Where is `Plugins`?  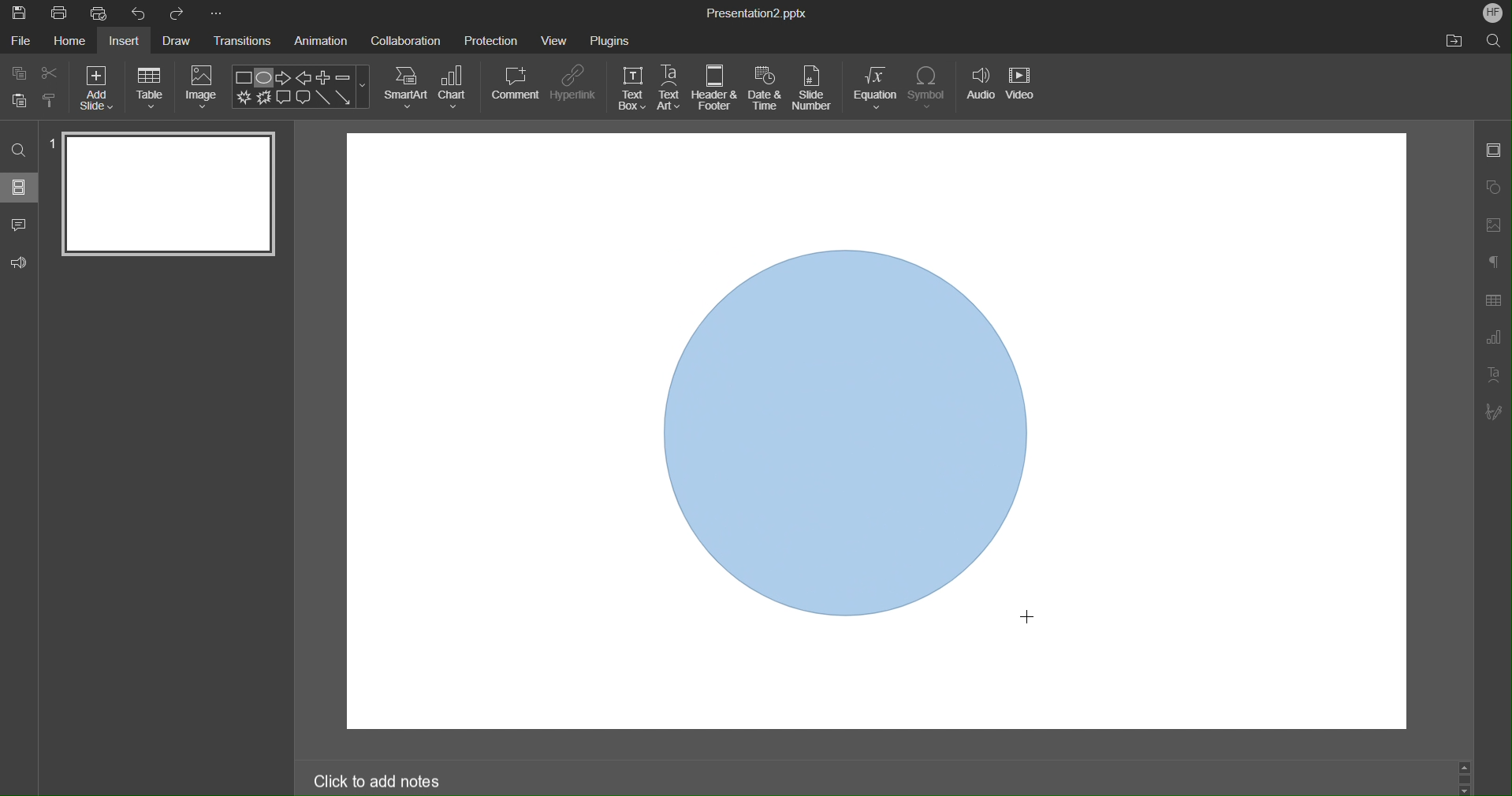
Plugins is located at coordinates (610, 38).